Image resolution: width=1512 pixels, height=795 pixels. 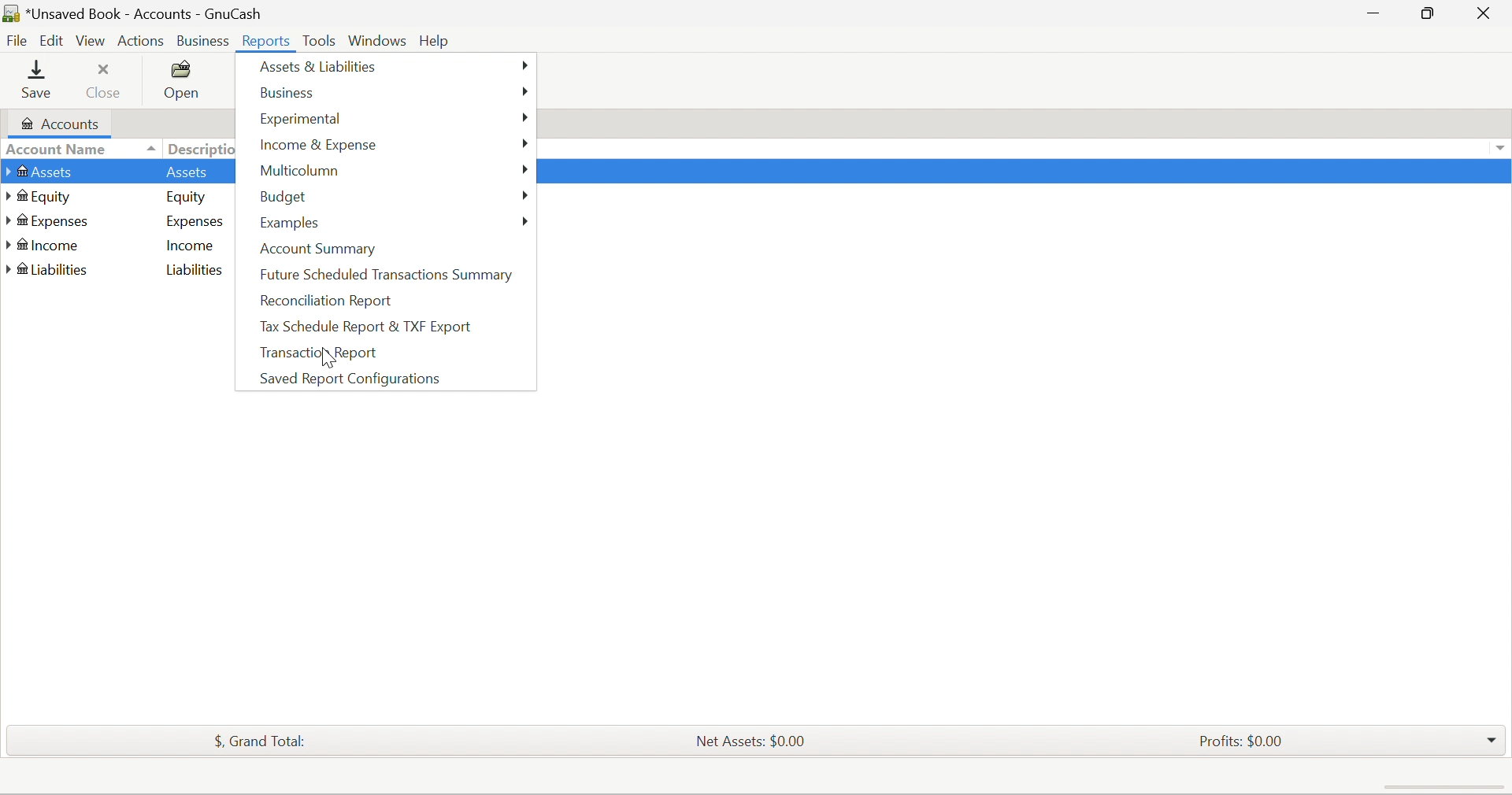 I want to click on Down arrow, so click(x=1501, y=150).